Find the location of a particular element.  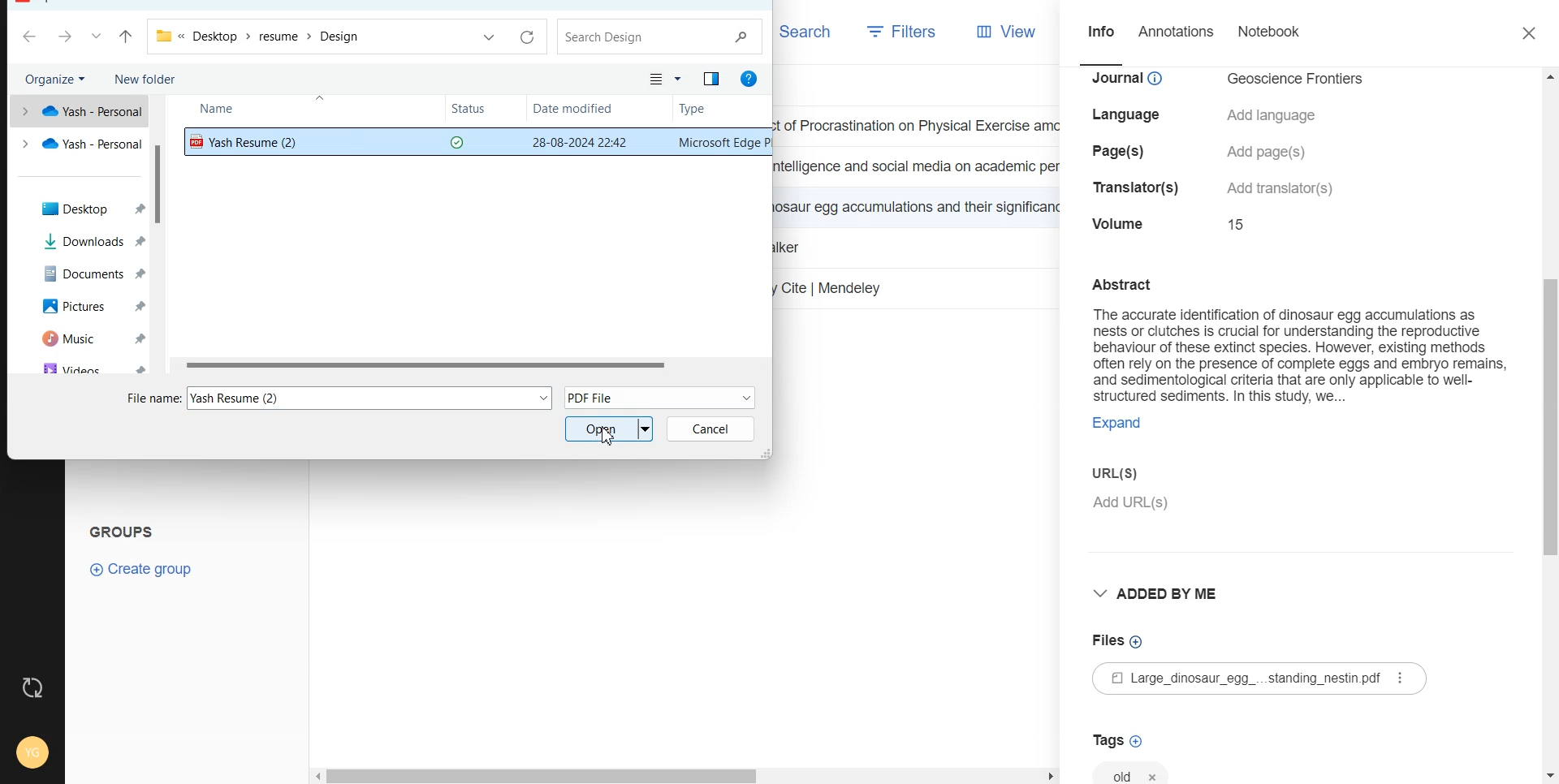

File path address is located at coordinates (259, 37).